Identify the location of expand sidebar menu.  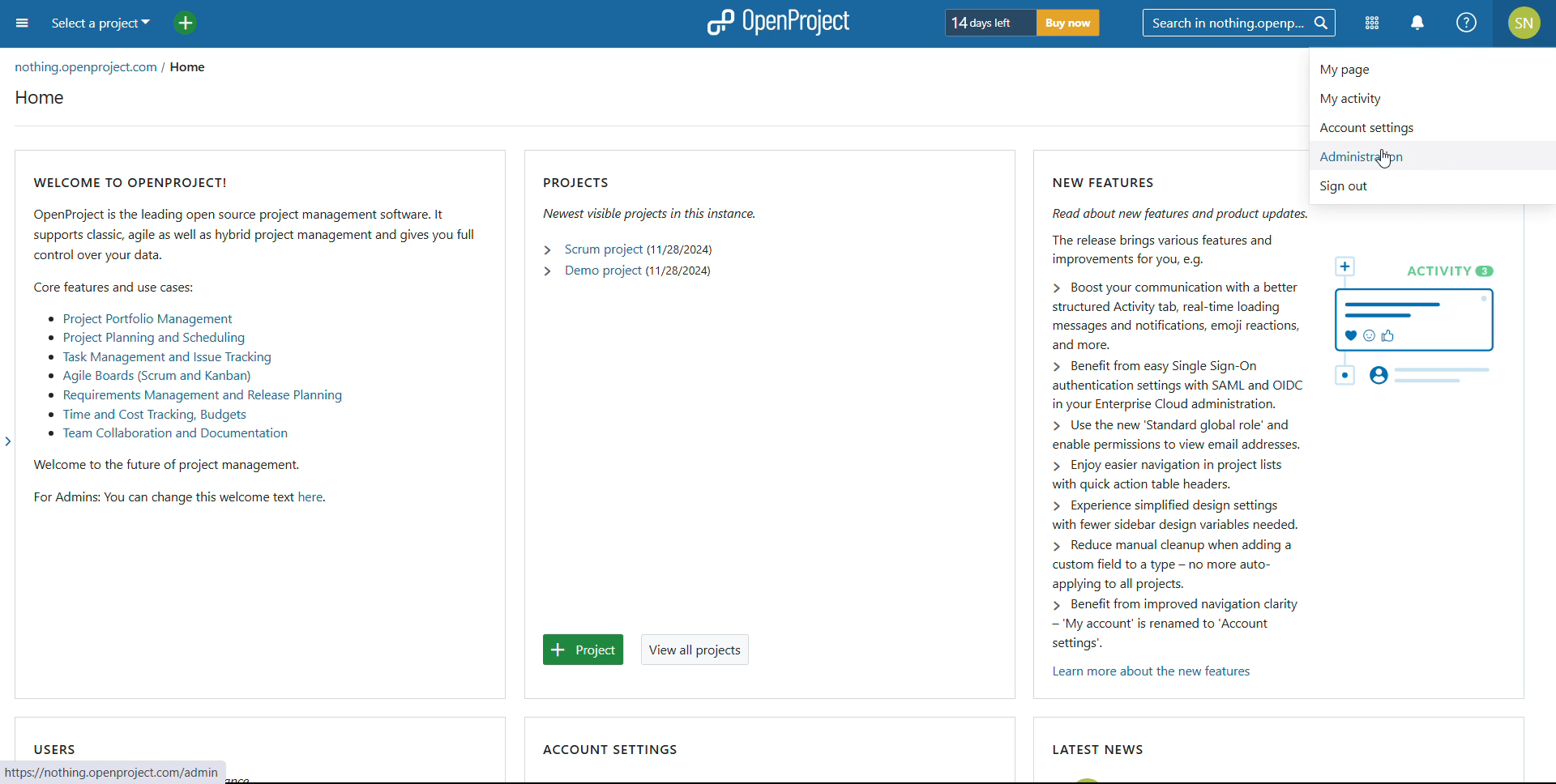
(9, 445).